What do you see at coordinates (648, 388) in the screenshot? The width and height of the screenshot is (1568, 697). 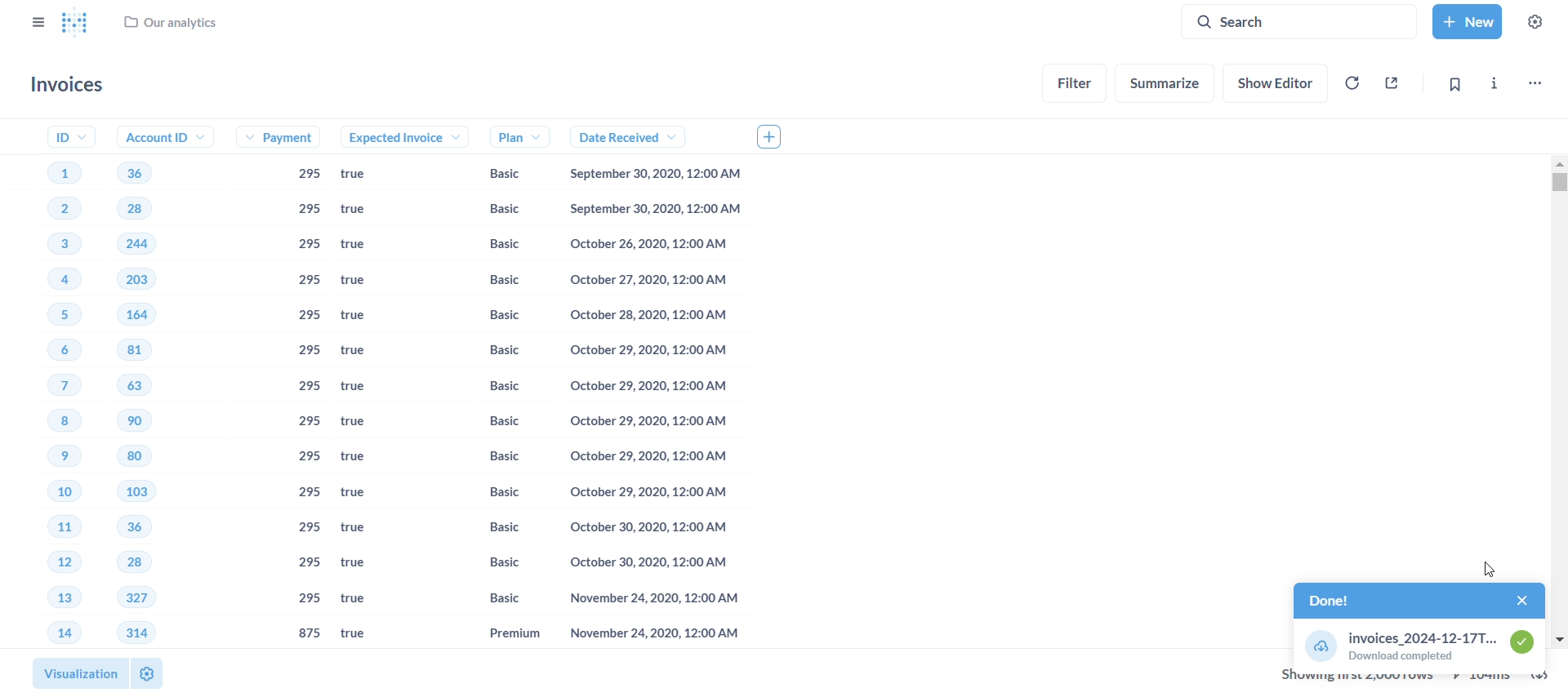 I see `October 29,2020, 12:00 AM` at bounding box center [648, 388].